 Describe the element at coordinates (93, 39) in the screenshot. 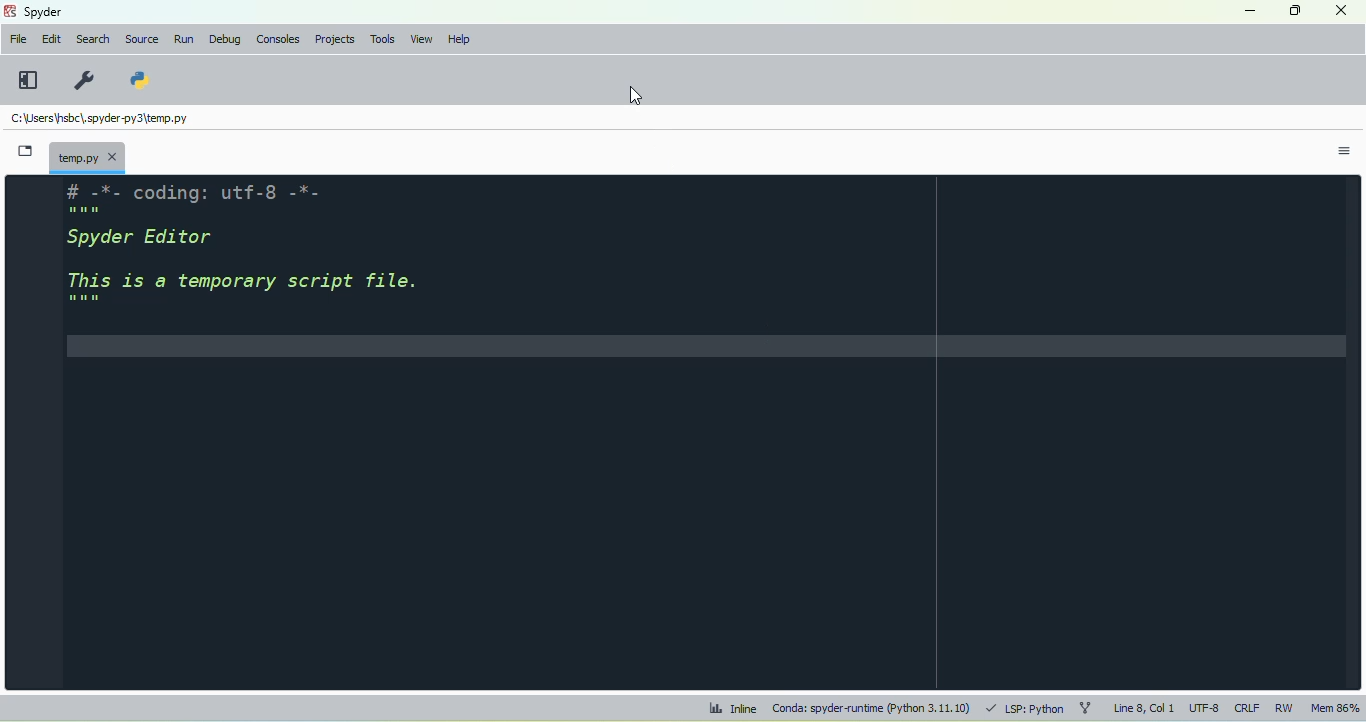

I see `search` at that location.